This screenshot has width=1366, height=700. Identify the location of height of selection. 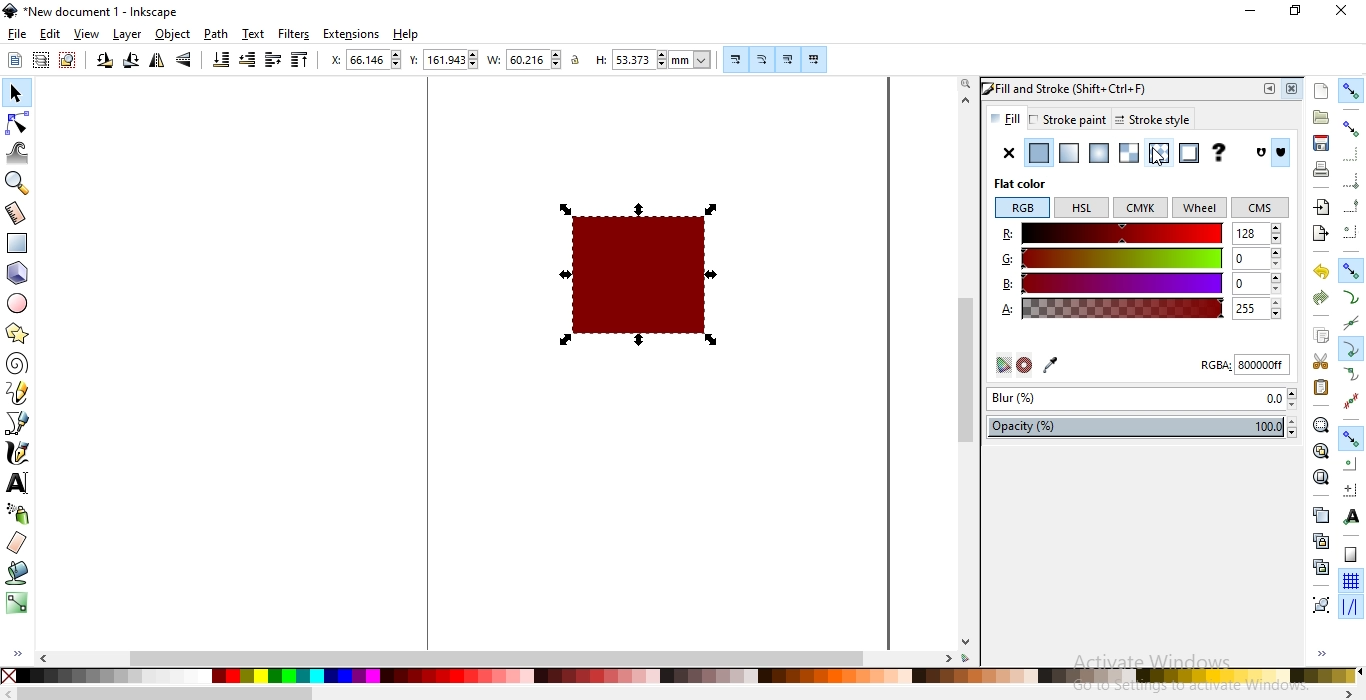
(598, 60).